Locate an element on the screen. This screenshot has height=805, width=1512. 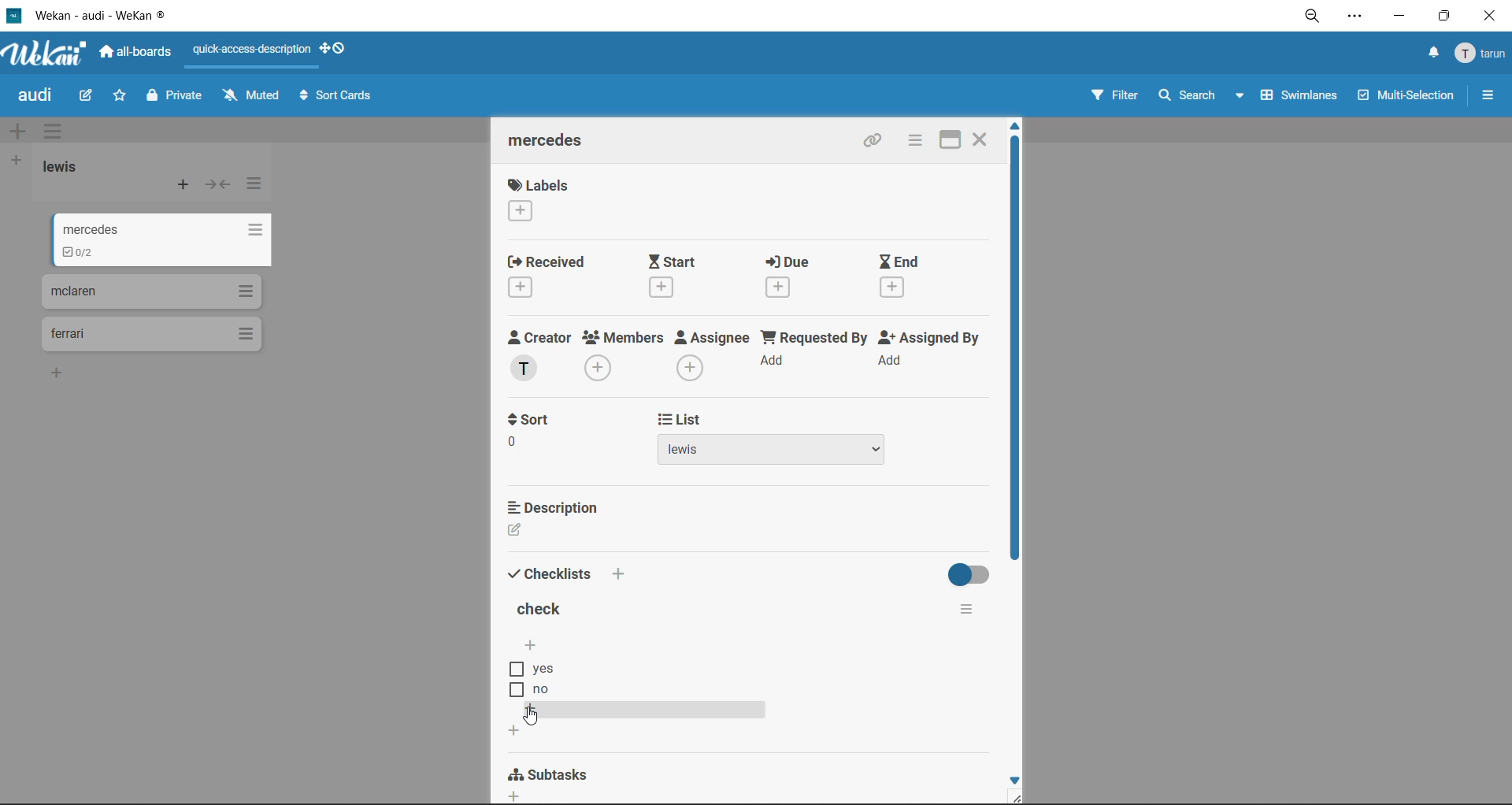
maximize is located at coordinates (947, 142).